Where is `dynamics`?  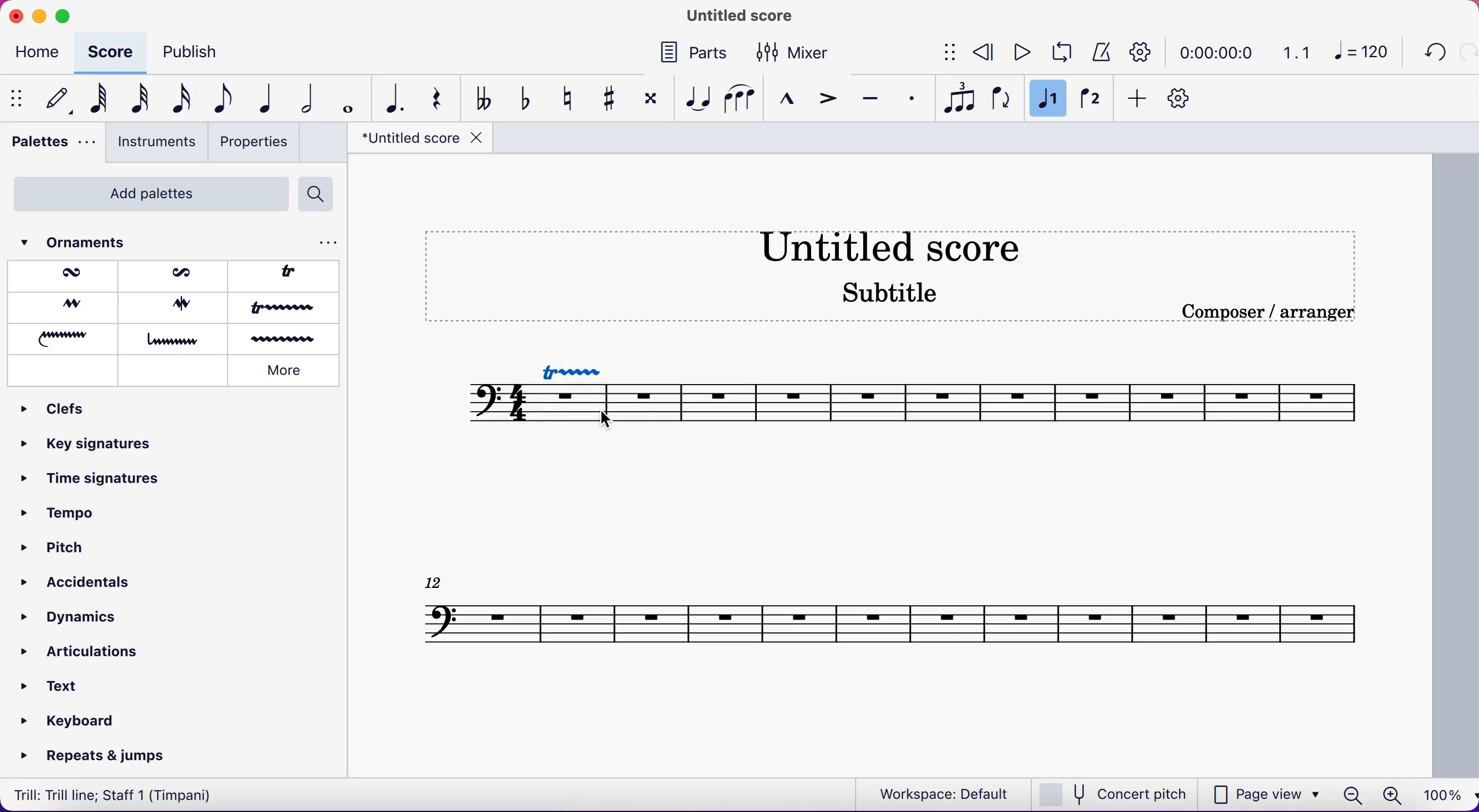 dynamics is located at coordinates (73, 617).